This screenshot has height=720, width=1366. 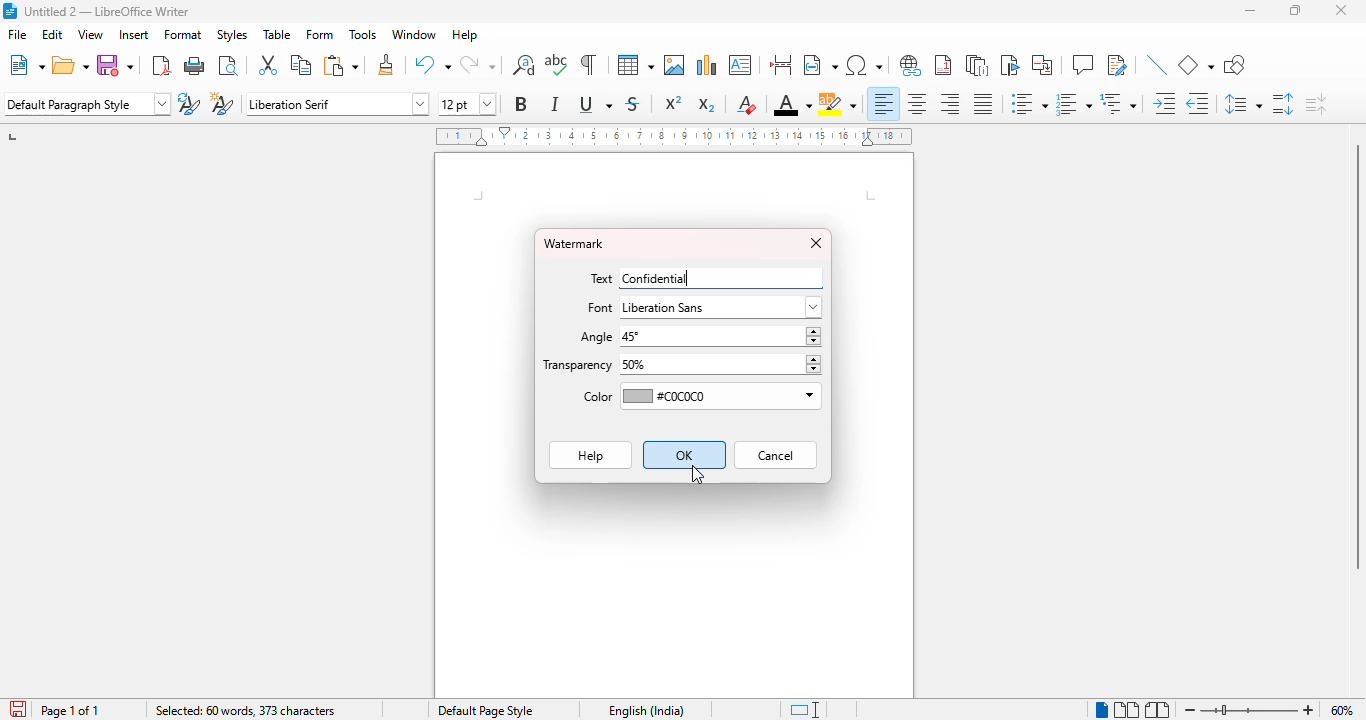 I want to click on decrease indent, so click(x=1197, y=104).